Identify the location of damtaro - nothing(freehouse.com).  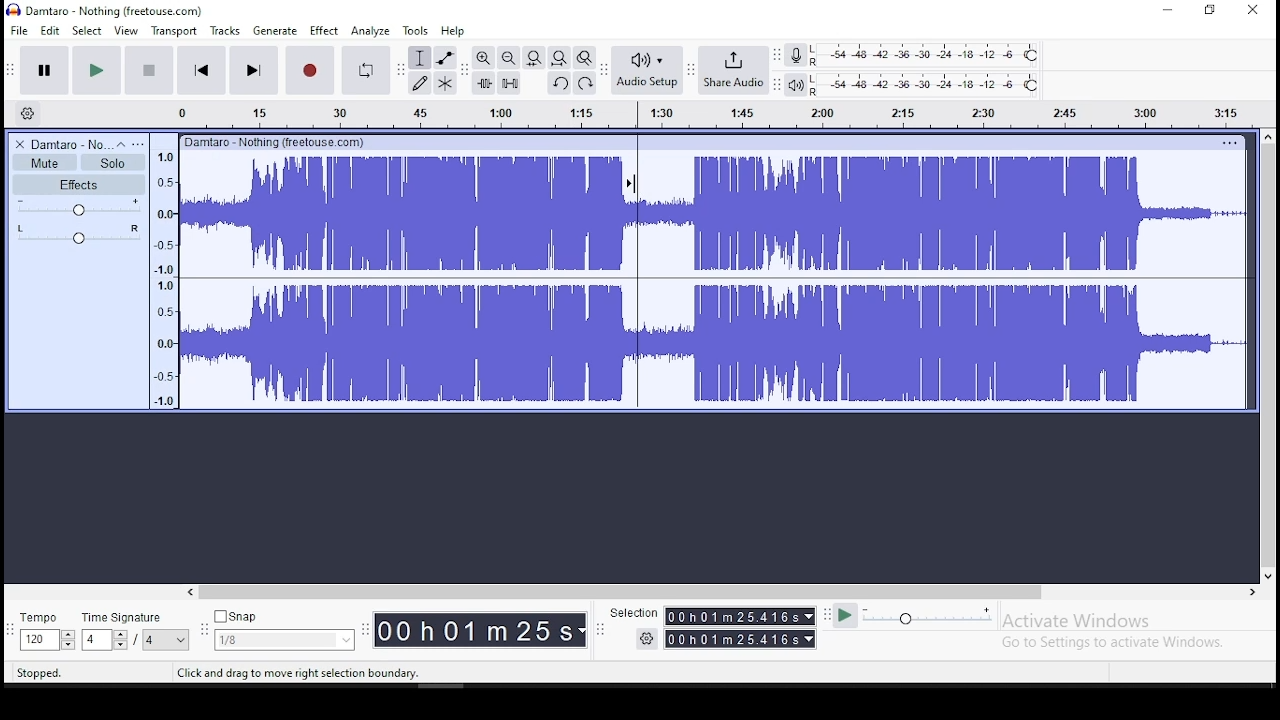
(280, 143).